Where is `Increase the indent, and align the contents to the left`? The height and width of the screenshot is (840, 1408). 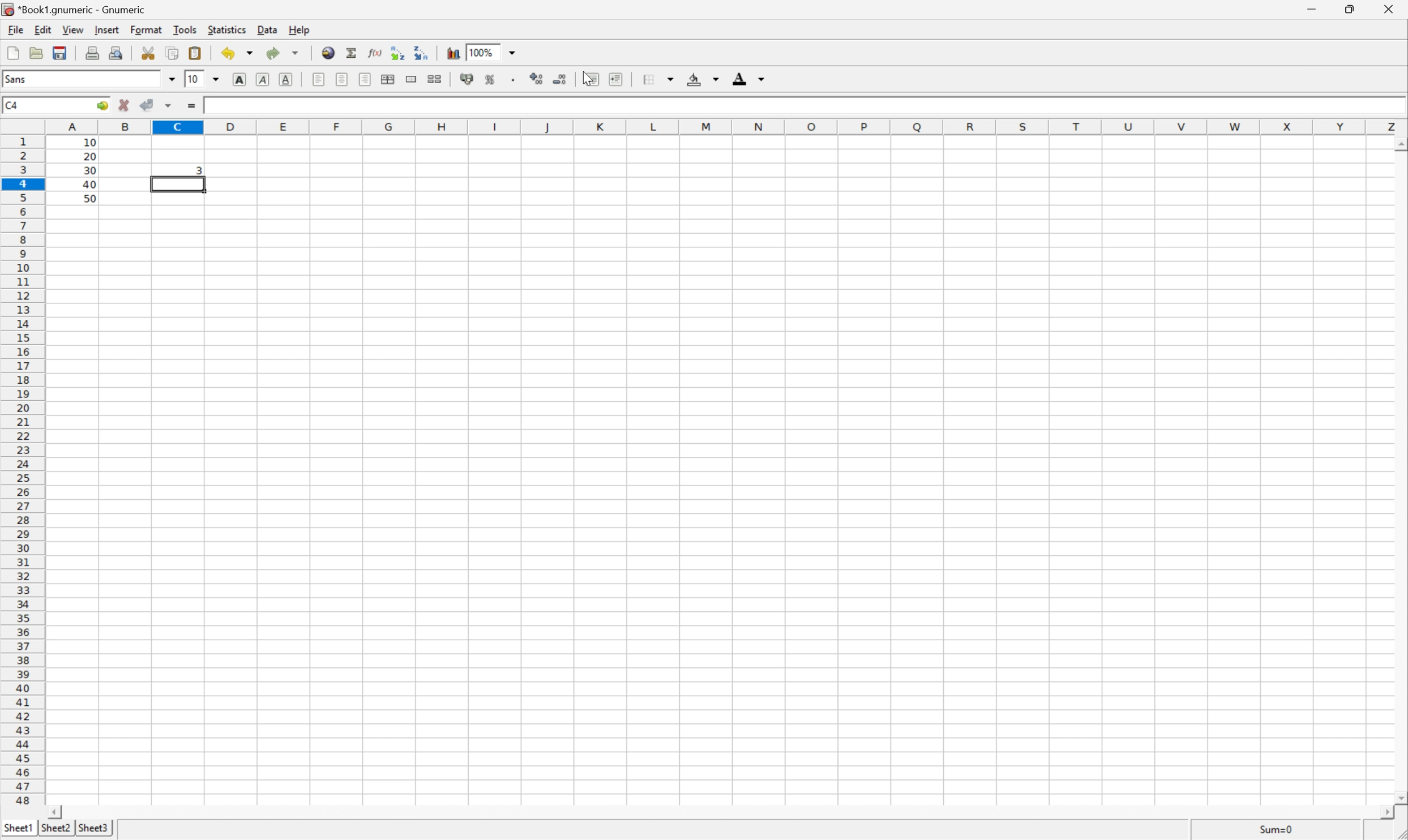 Increase the indent, and align the contents to the left is located at coordinates (616, 76).